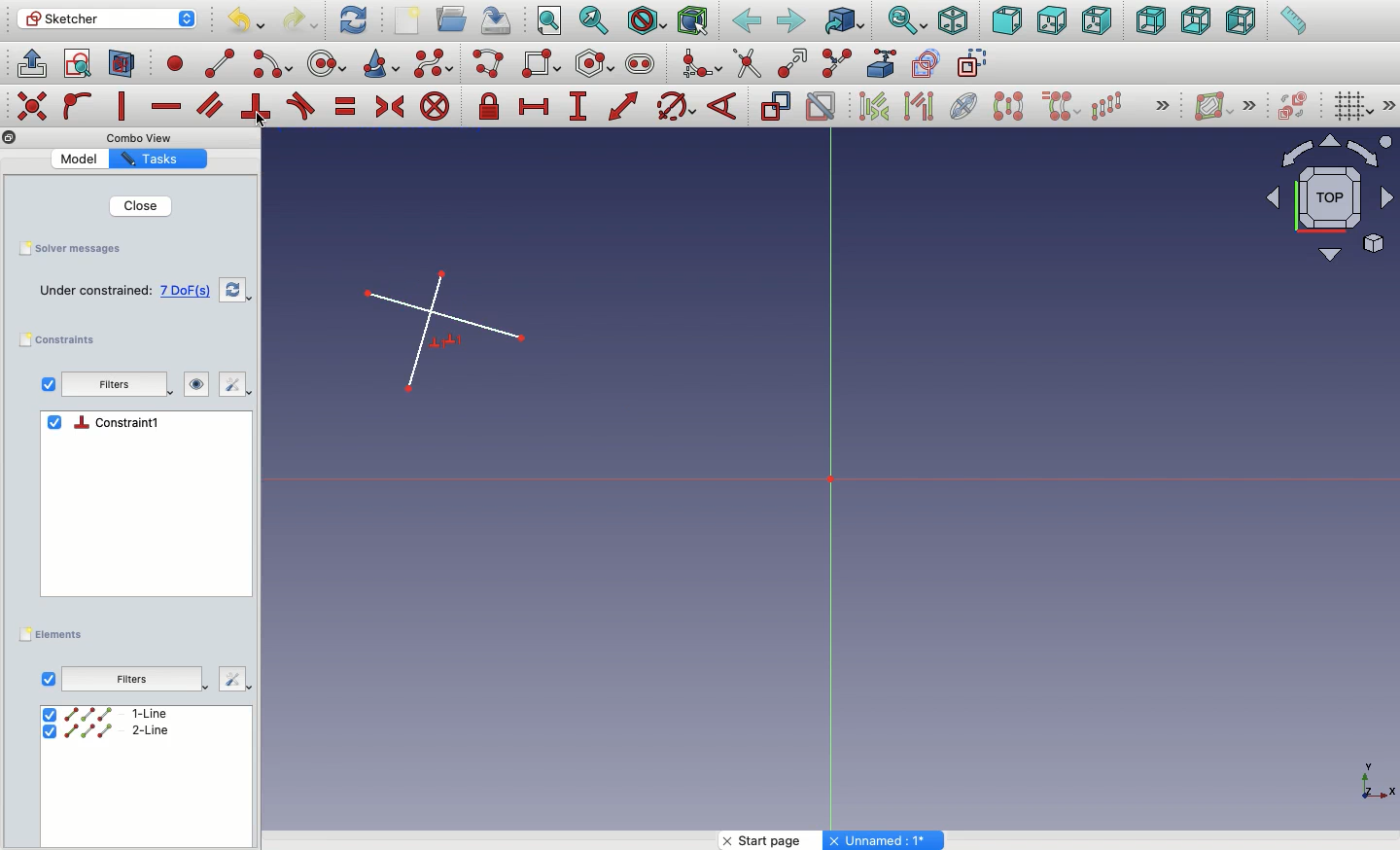  What do you see at coordinates (1149, 21) in the screenshot?
I see `Rear` at bounding box center [1149, 21].